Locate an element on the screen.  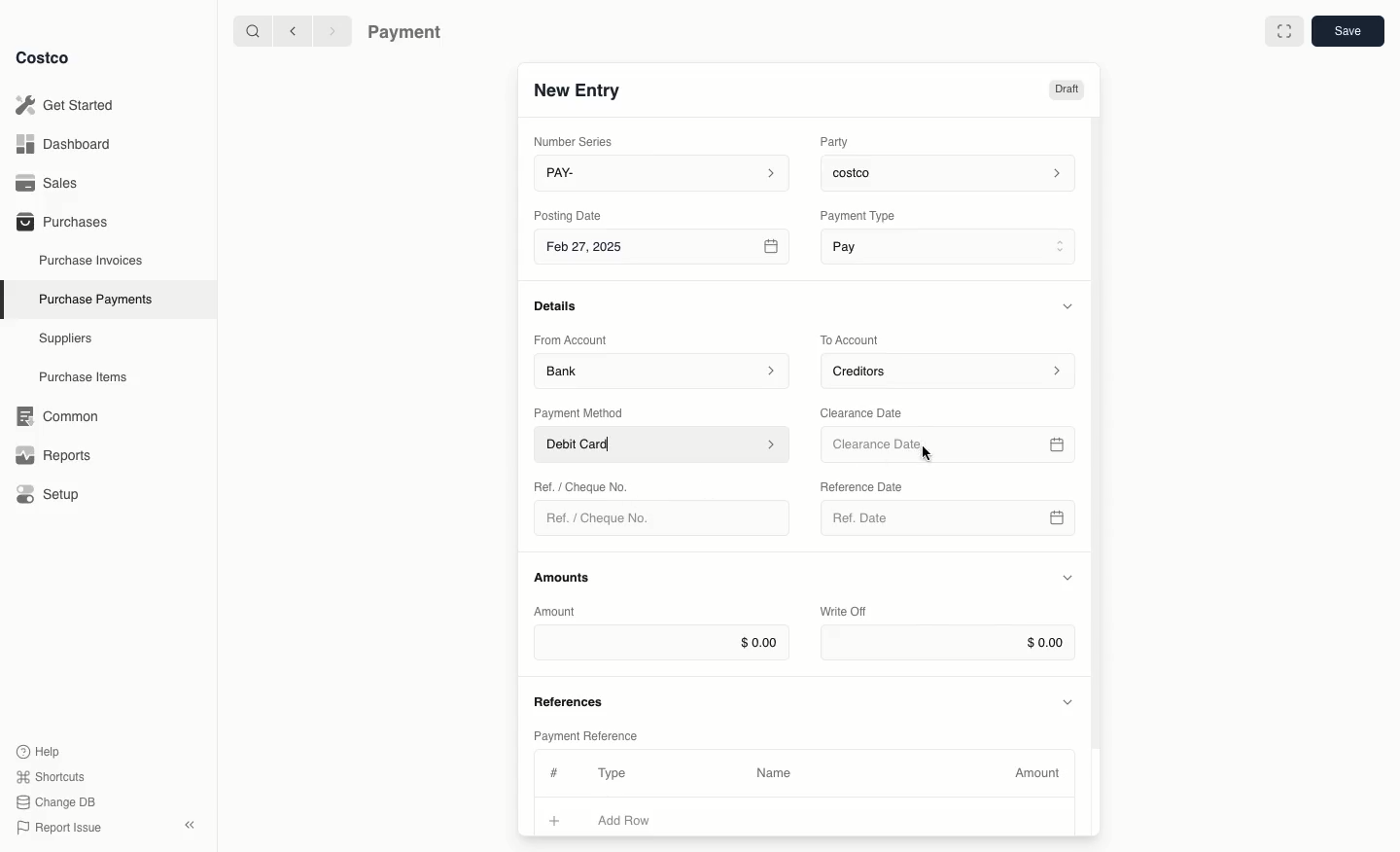
Help is located at coordinates (38, 750).